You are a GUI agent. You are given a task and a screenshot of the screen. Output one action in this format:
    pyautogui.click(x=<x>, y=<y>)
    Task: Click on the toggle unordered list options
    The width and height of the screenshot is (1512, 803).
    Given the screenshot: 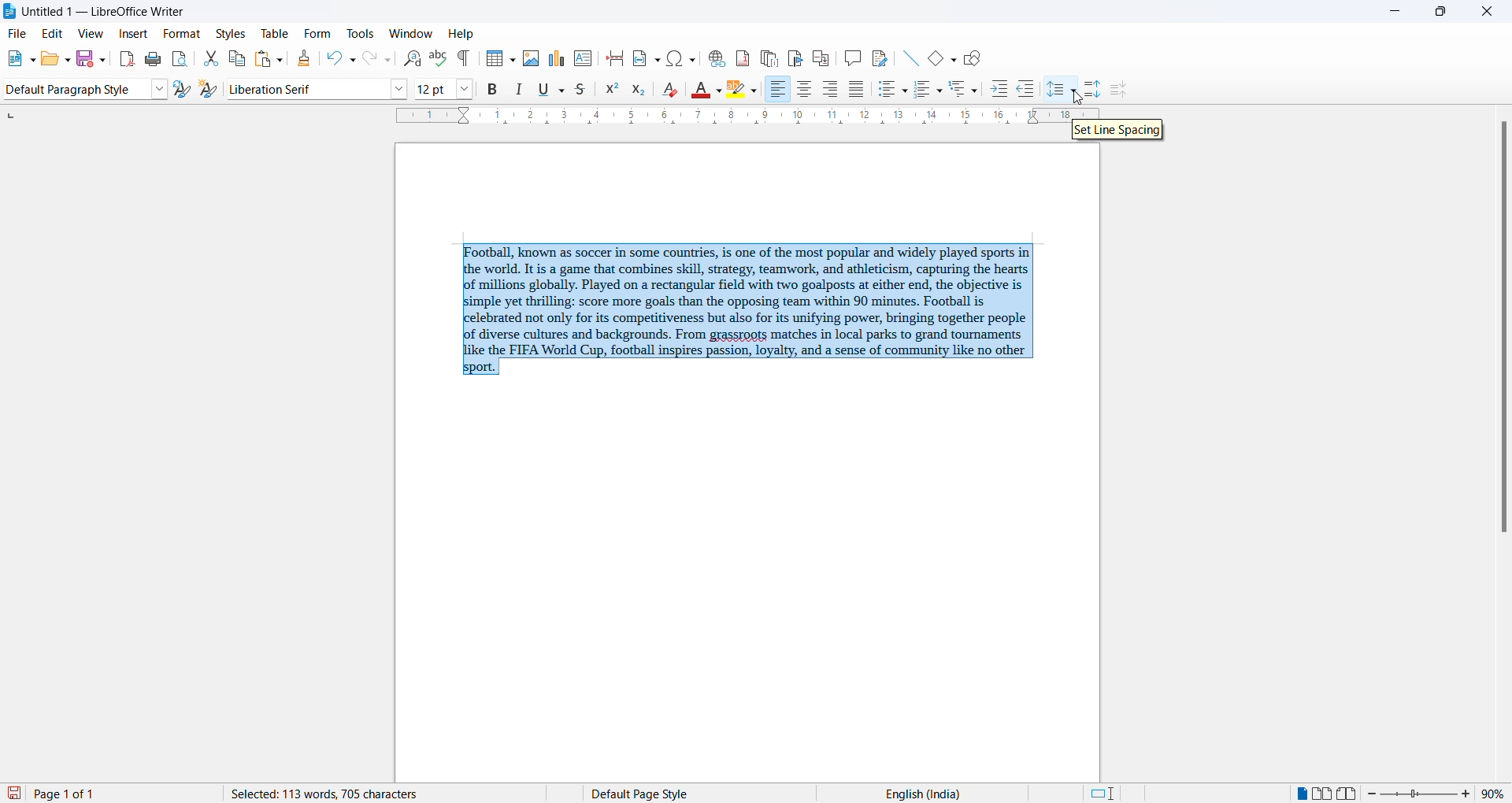 What is the action you would take?
    pyautogui.click(x=903, y=92)
    